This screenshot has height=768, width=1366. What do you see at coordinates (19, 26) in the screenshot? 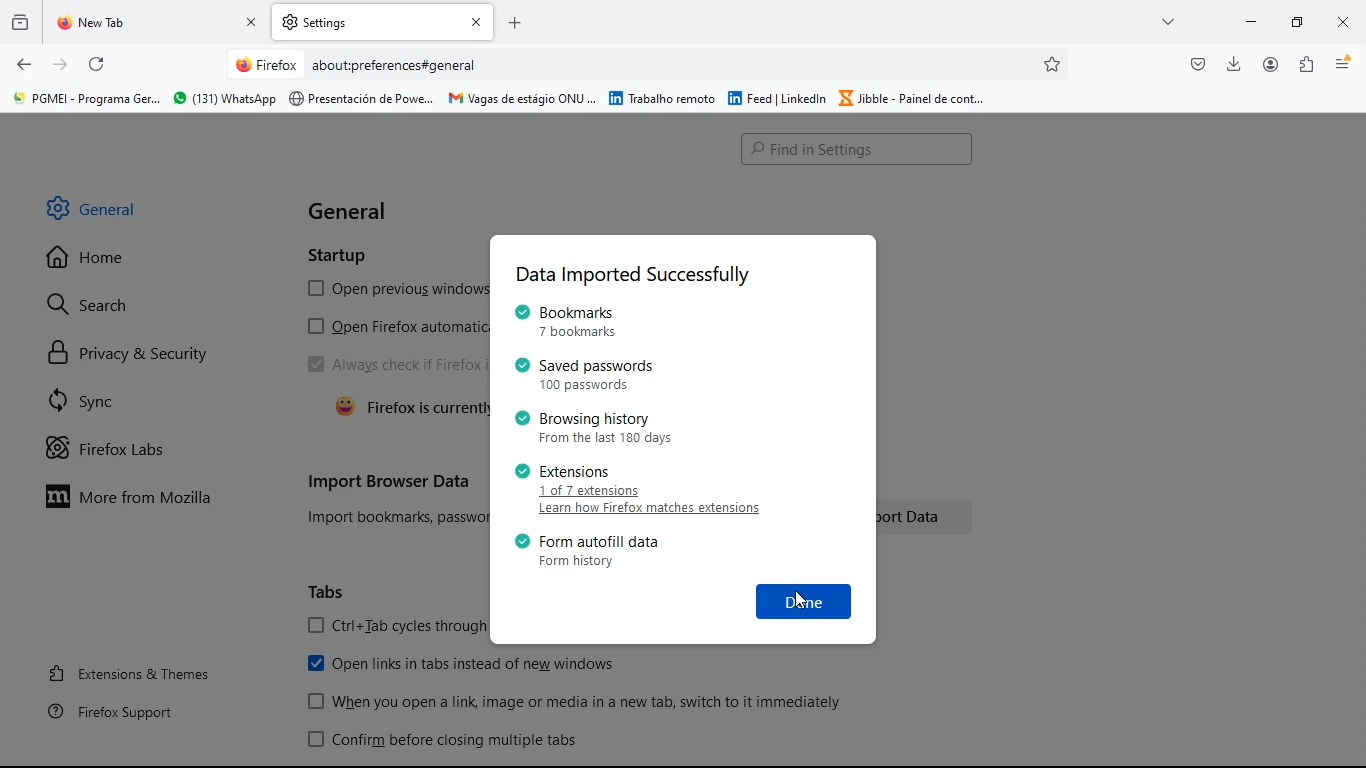
I see `history` at bounding box center [19, 26].